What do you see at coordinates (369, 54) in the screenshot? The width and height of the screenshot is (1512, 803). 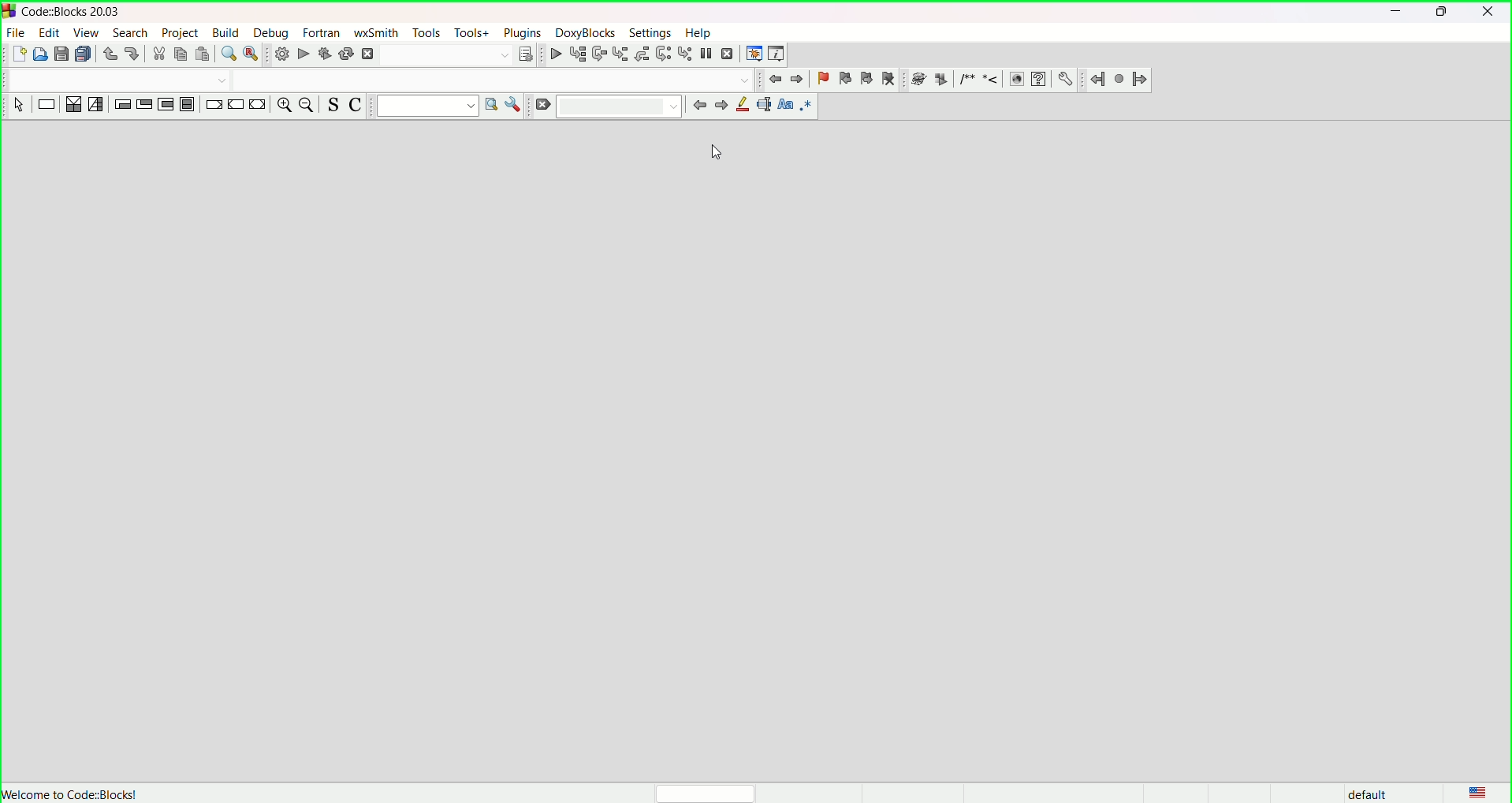 I see `abort` at bounding box center [369, 54].